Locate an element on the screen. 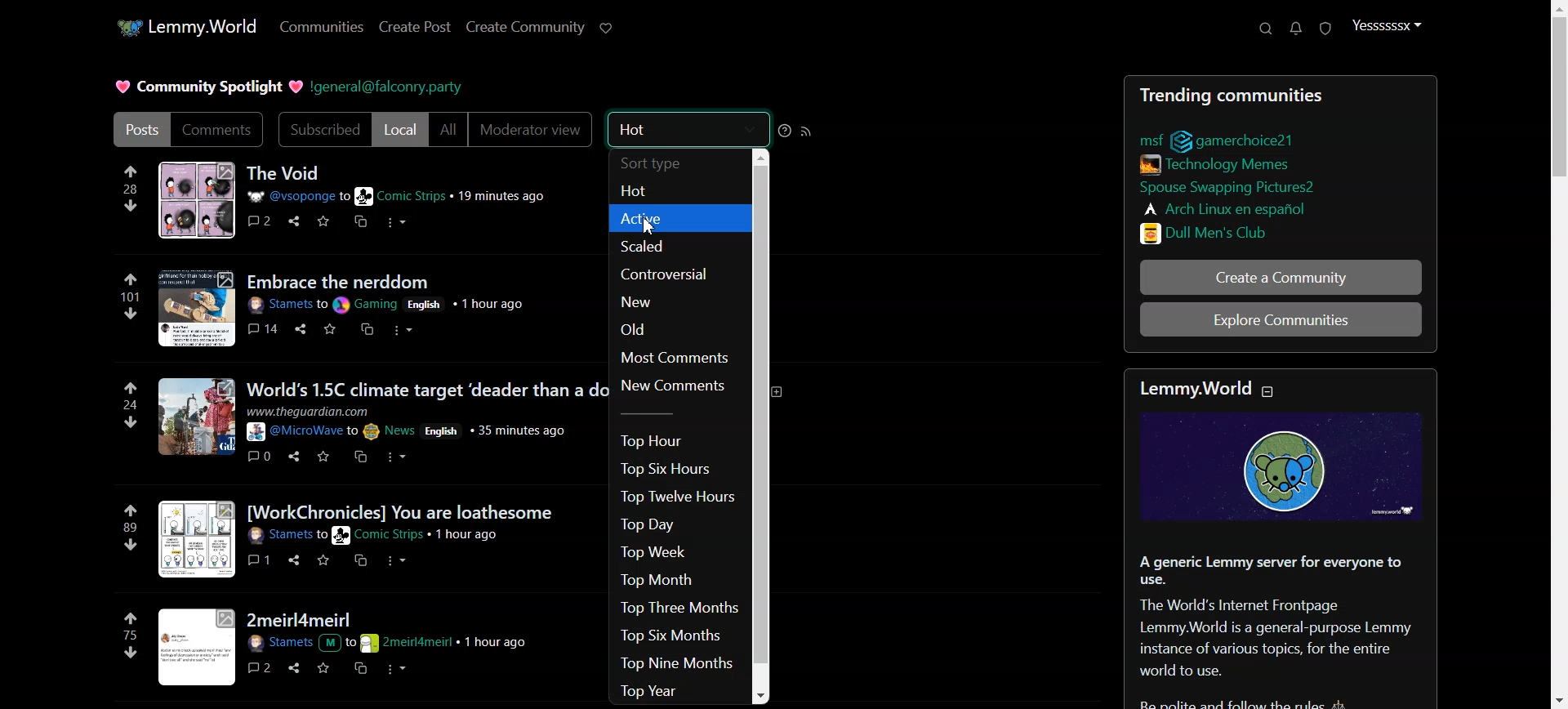 The image size is (1568, 709). post details is located at coordinates (391, 195).